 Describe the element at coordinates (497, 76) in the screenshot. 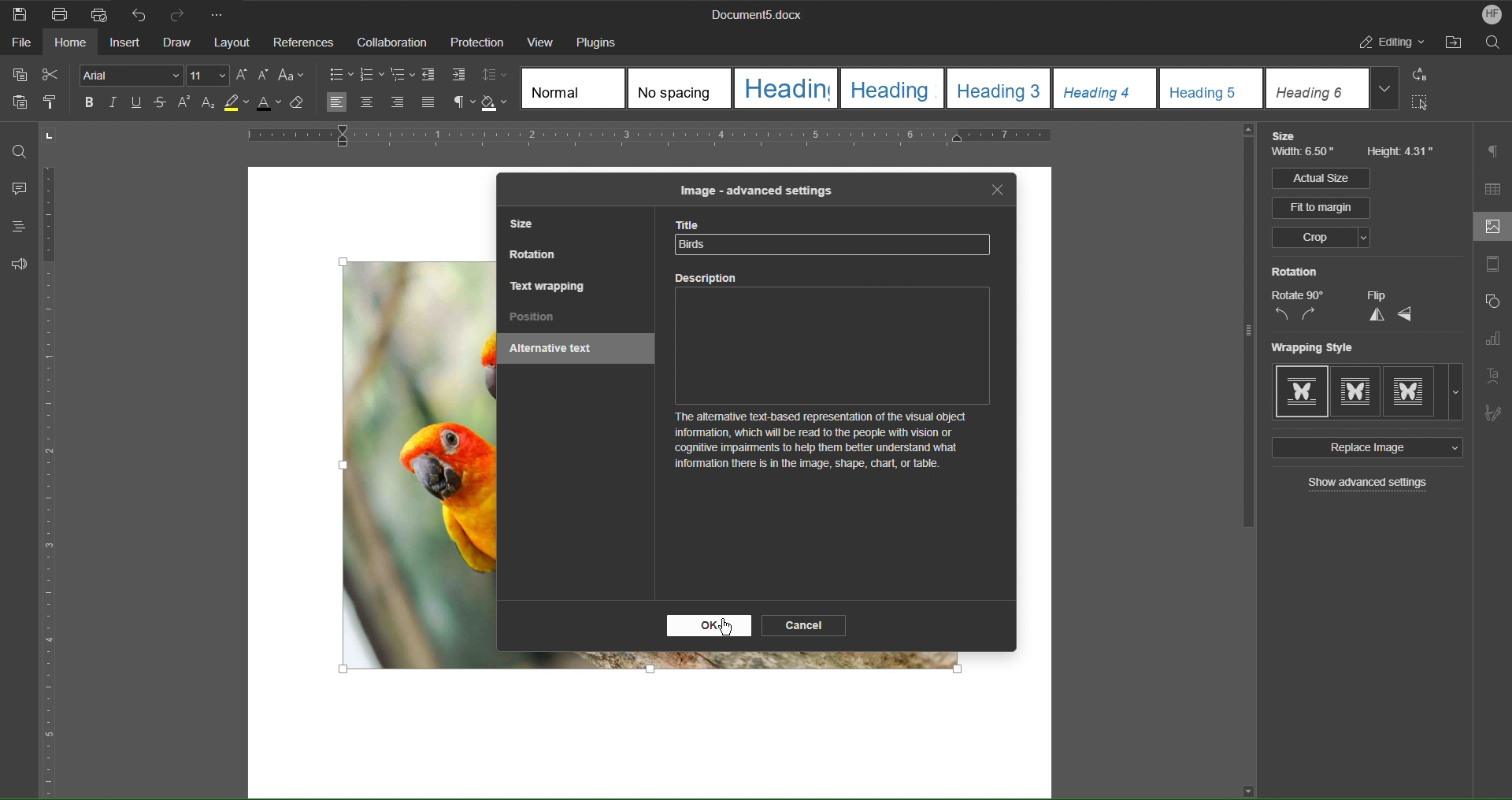

I see `Line Spacing` at that location.